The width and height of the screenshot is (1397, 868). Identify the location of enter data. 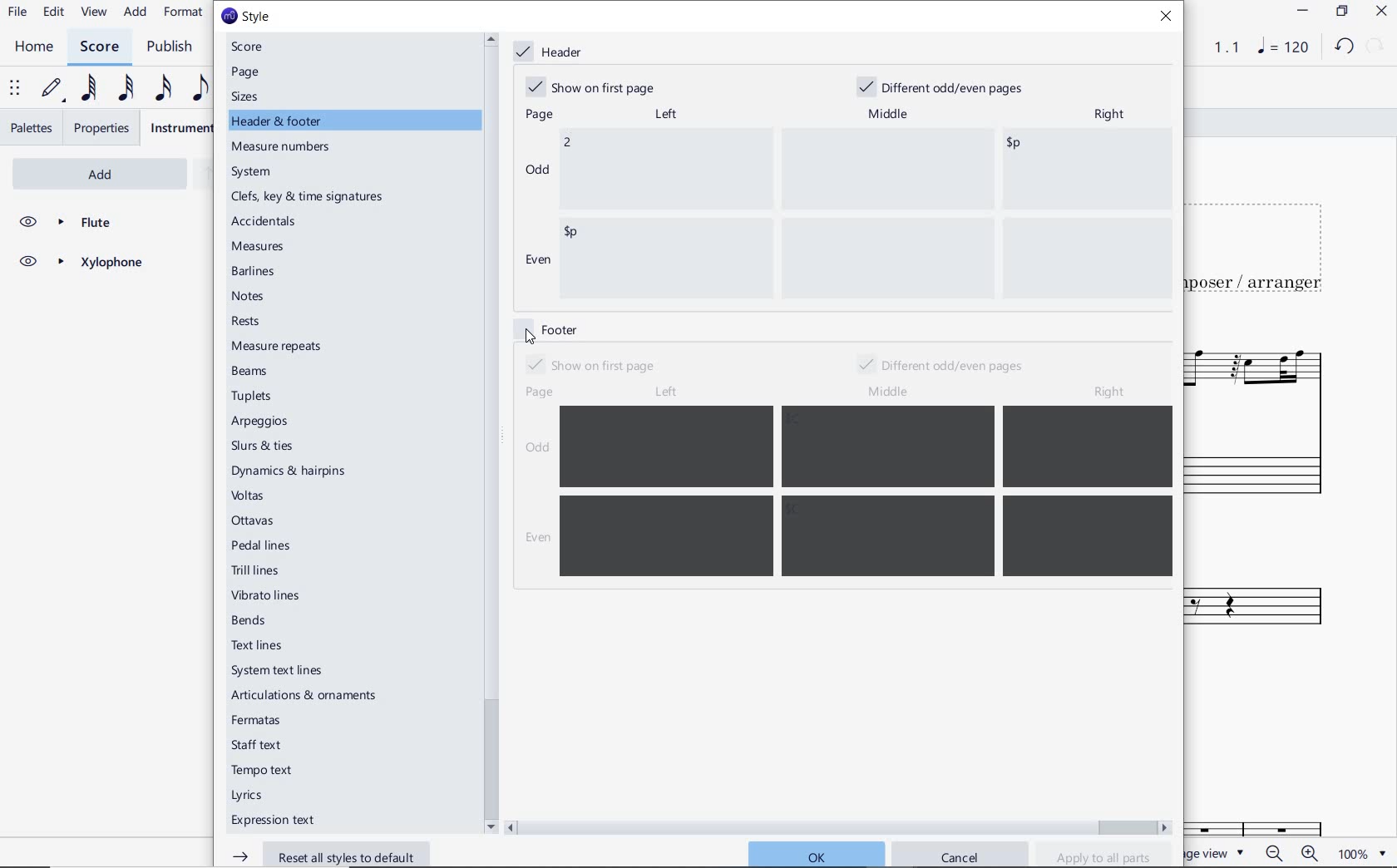
(868, 492).